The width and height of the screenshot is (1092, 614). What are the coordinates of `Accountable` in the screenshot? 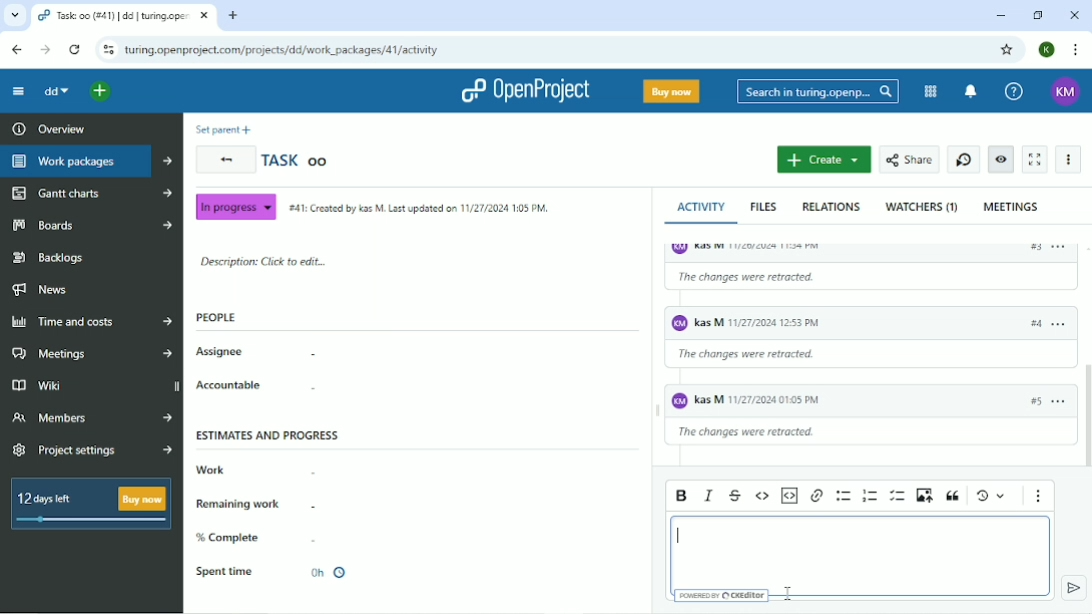 It's located at (256, 386).